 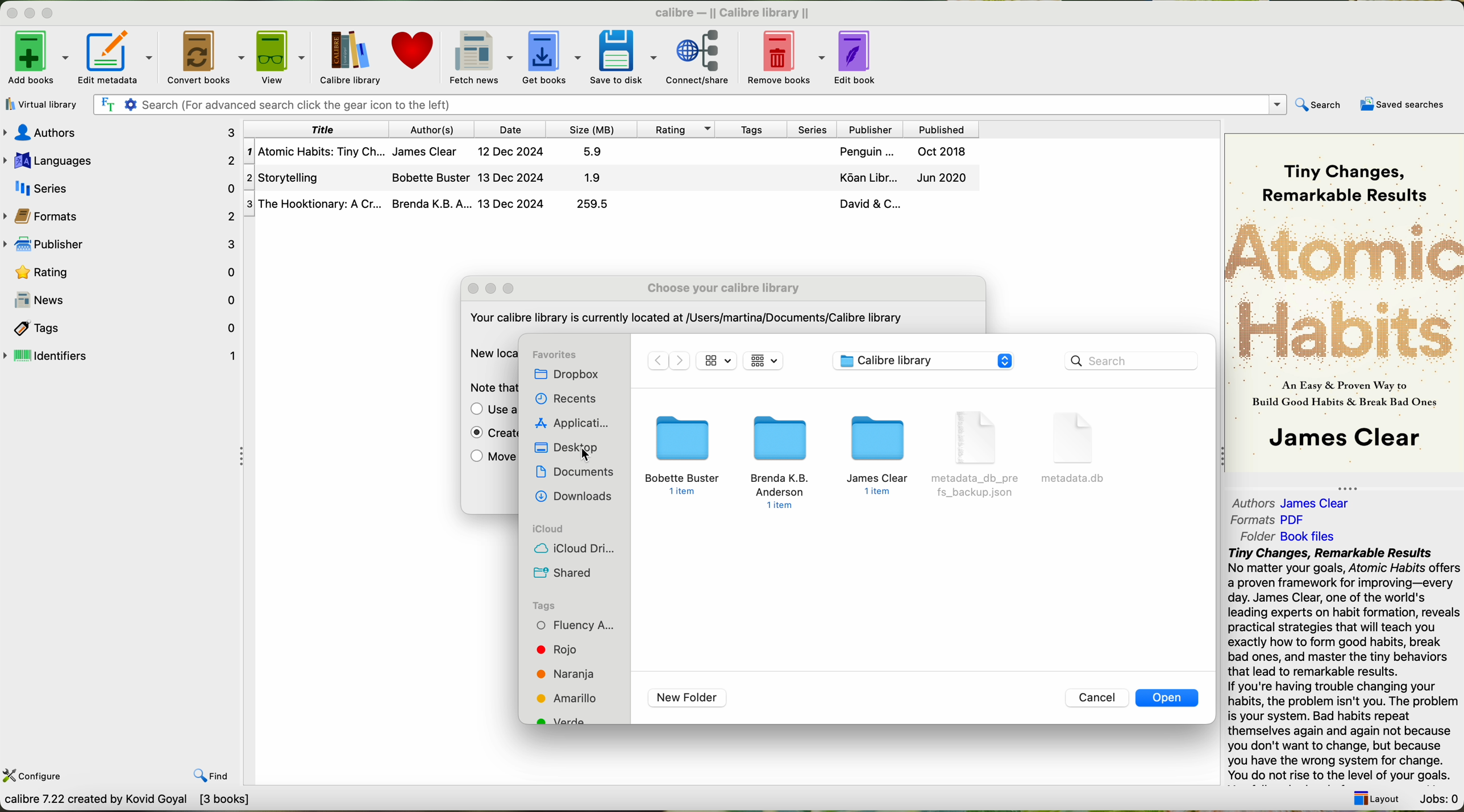 I want to click on publisher, so click(x=123, y=245).